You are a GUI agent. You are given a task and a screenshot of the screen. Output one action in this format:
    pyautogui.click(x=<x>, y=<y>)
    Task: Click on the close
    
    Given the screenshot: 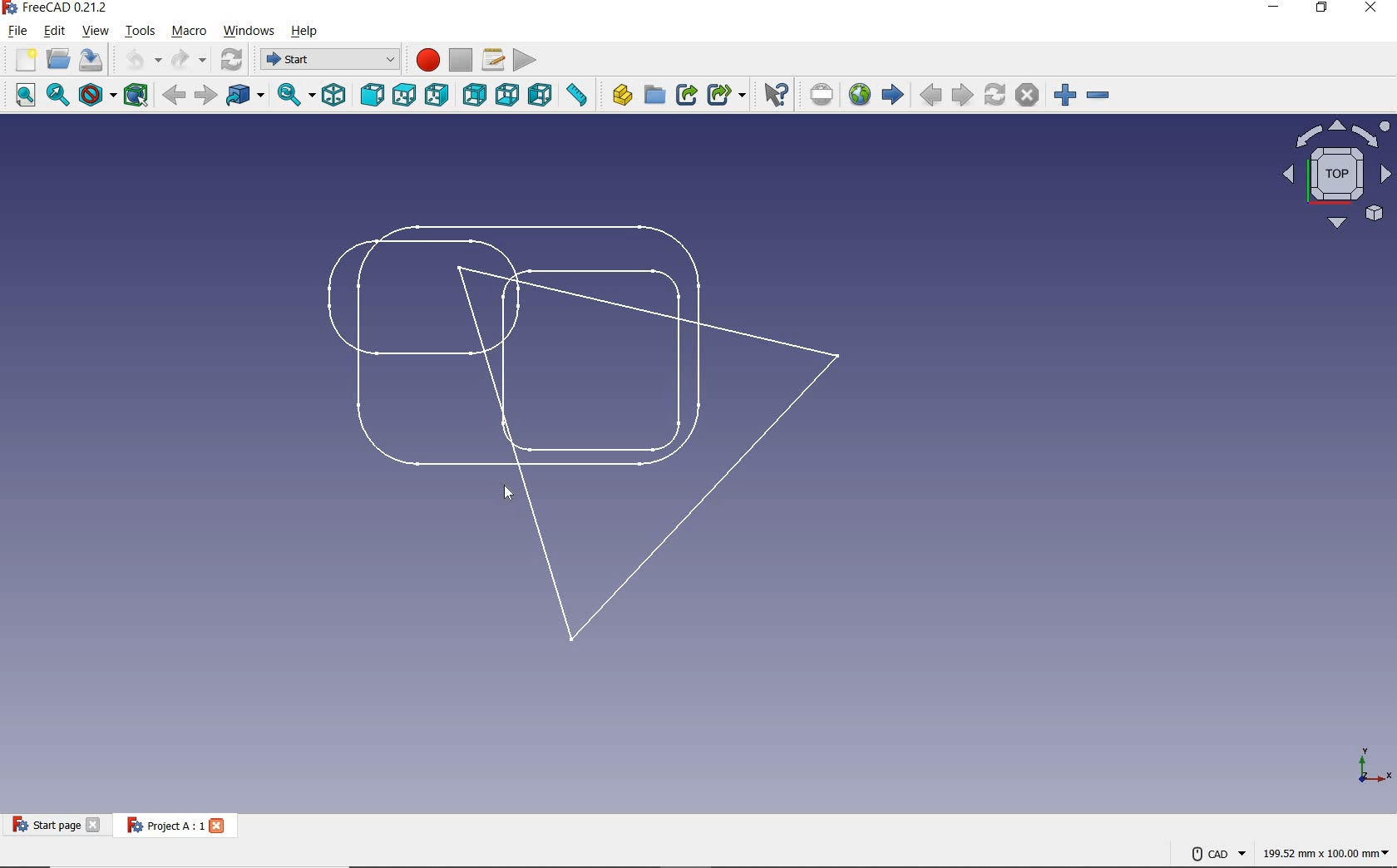 What is the action you would take?
    pyautogui.click(x=216, y=826)
    